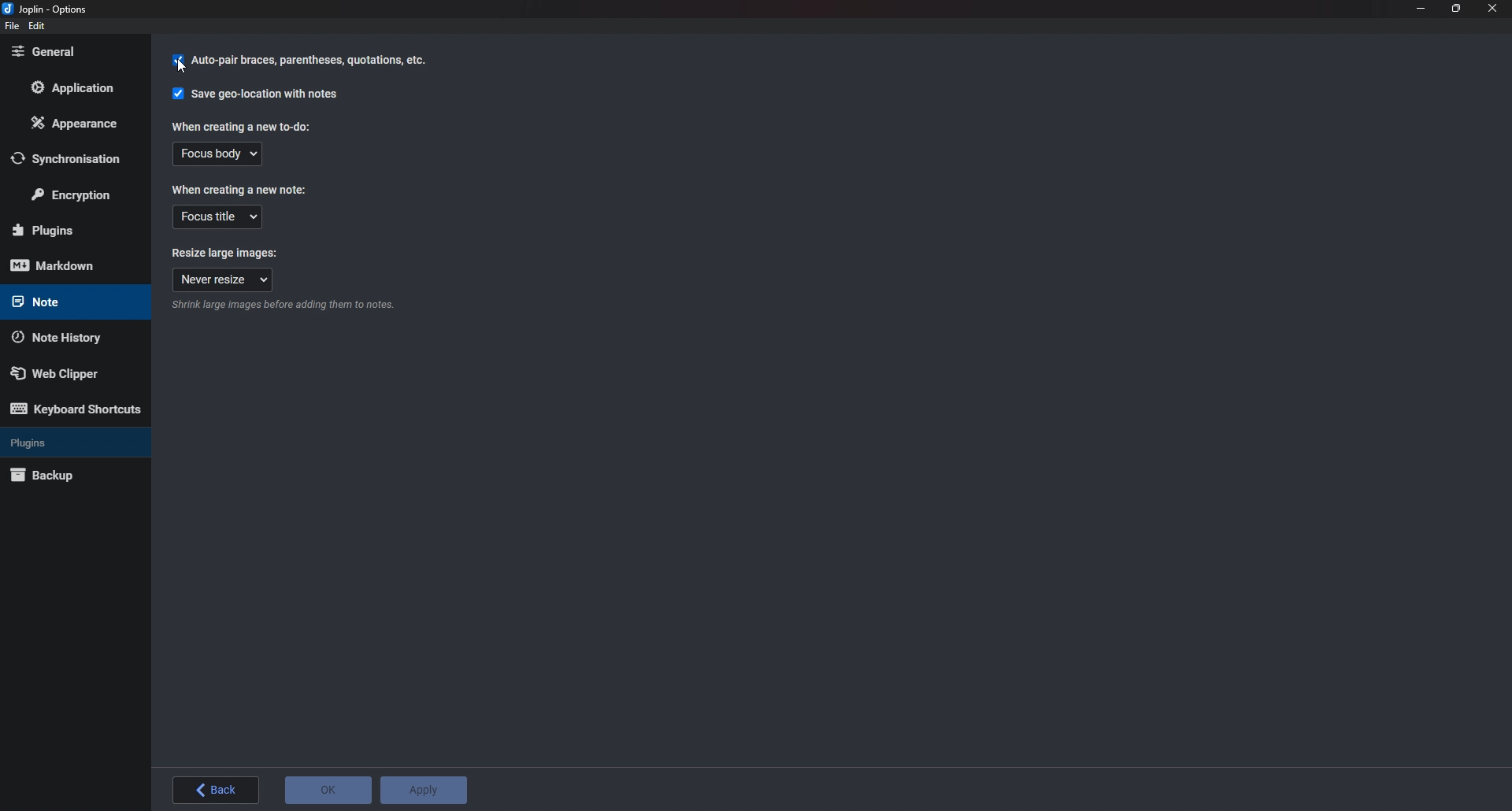 Image resolution: width=1512 pixels, height=811 pixels. Describe the element at coordinates (12, 27) in the screenshot. I see `File` at that location.